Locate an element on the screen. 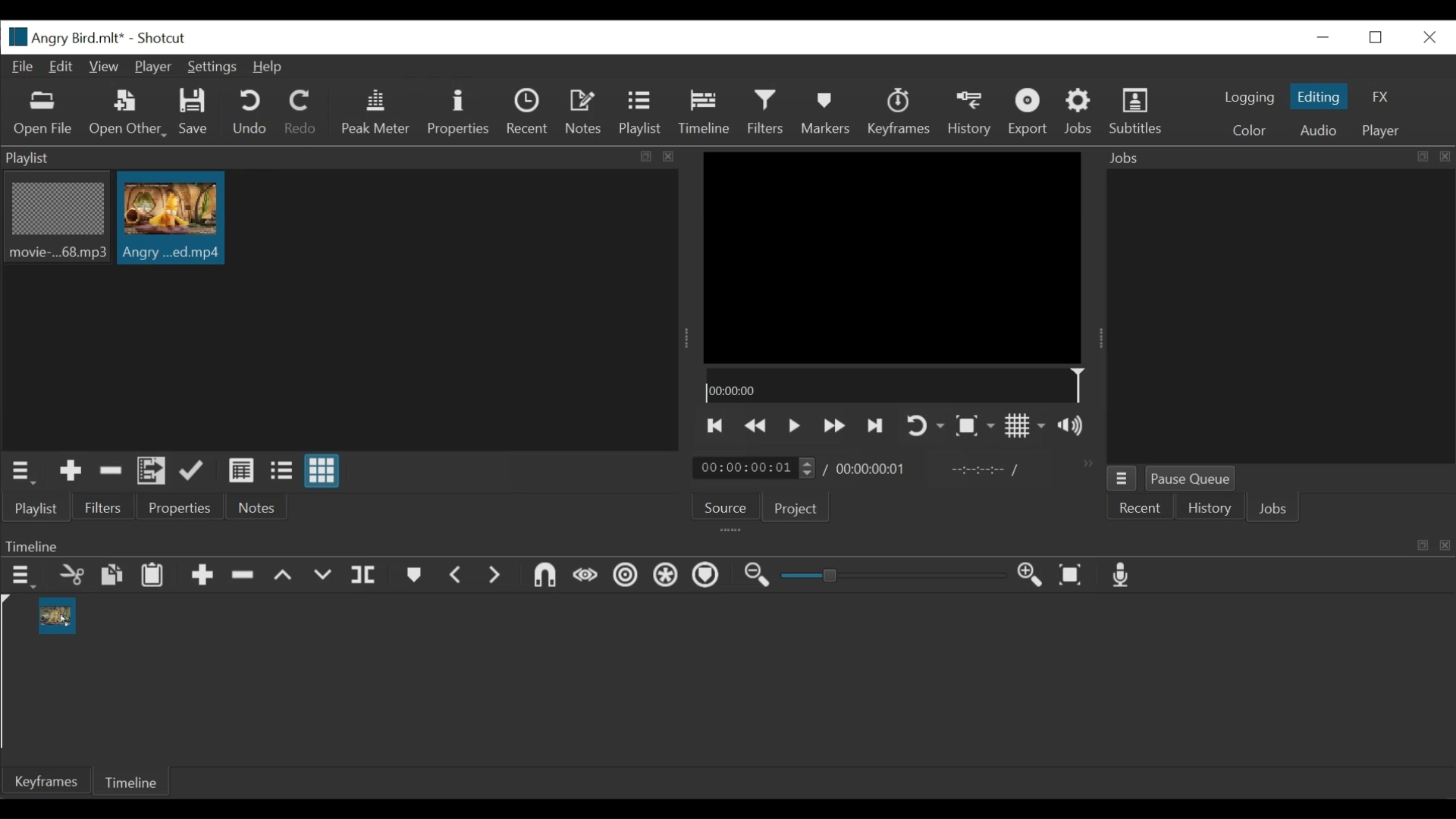  Close is located at coordinates (1426, 36).